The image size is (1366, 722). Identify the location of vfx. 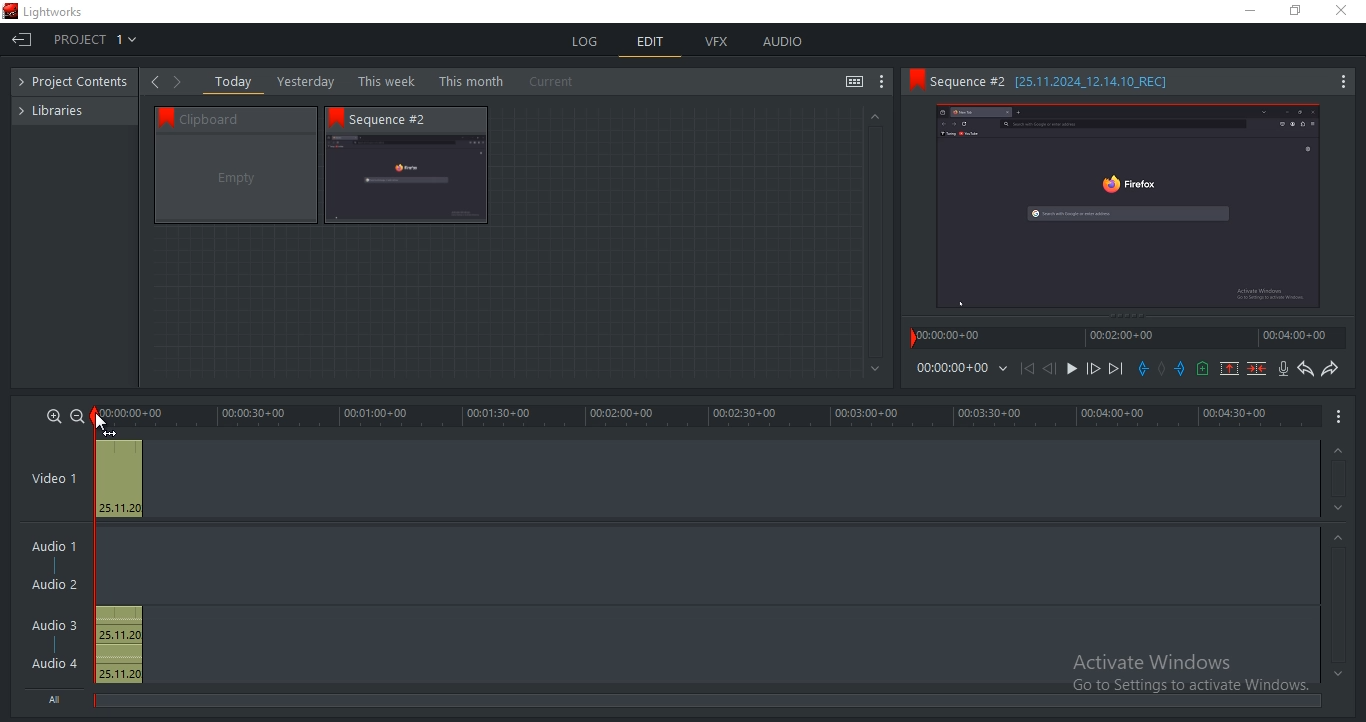
(716, 42).